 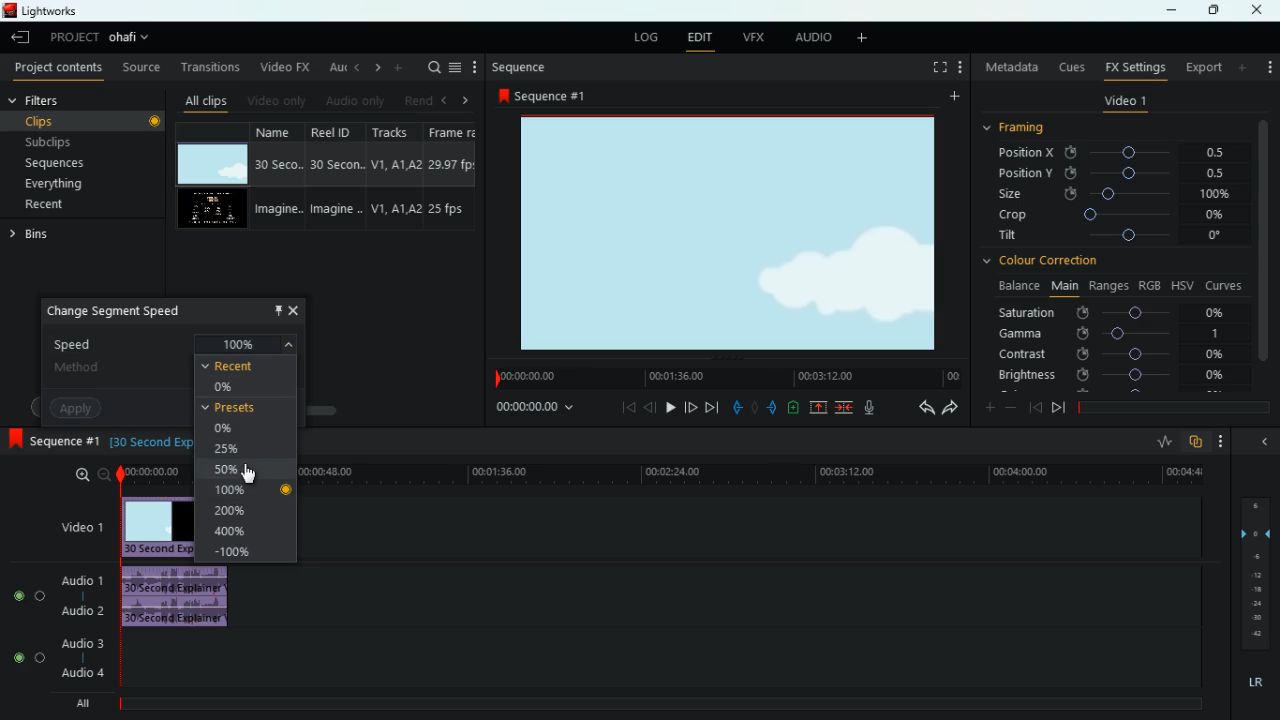 I want to click on video fx, so click(x=283, y=66).